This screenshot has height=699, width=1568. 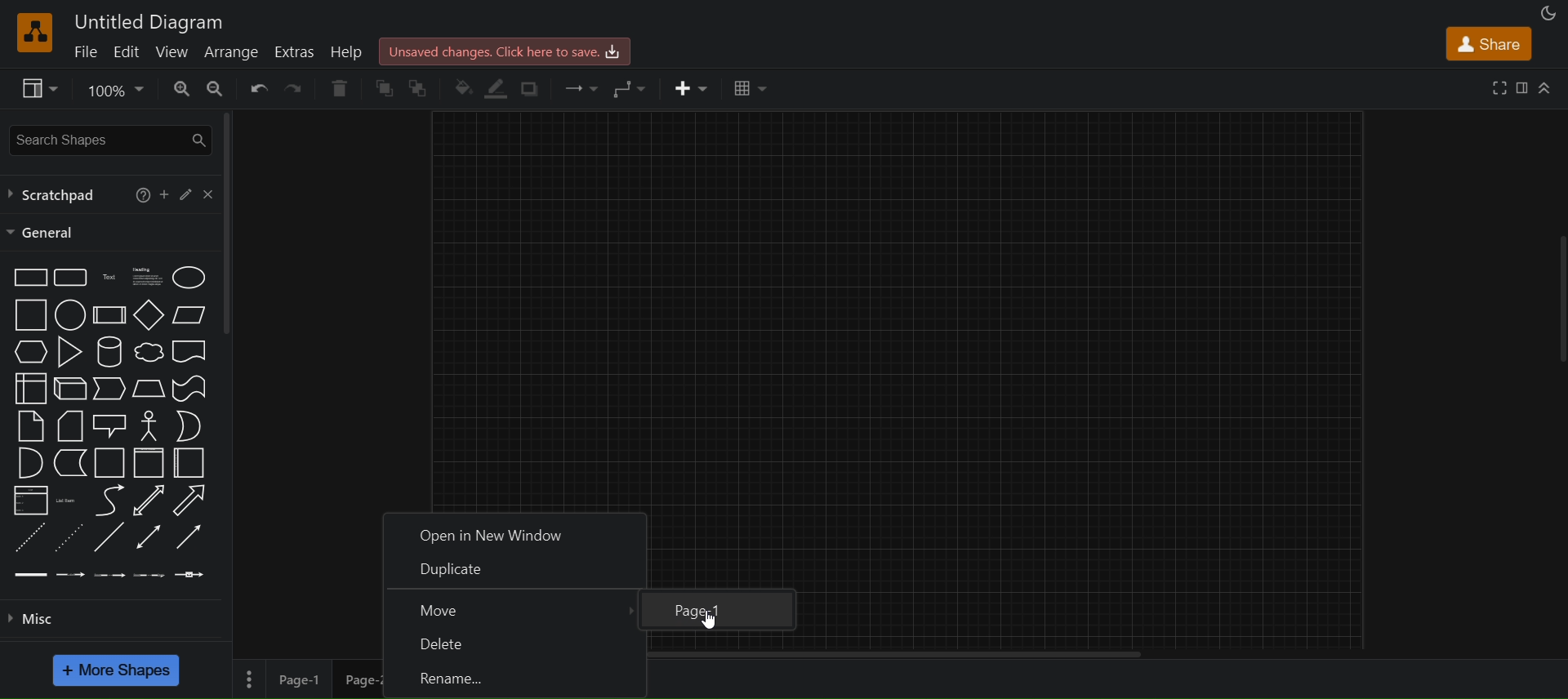 I want to click on note, so click(x=29, y=425).